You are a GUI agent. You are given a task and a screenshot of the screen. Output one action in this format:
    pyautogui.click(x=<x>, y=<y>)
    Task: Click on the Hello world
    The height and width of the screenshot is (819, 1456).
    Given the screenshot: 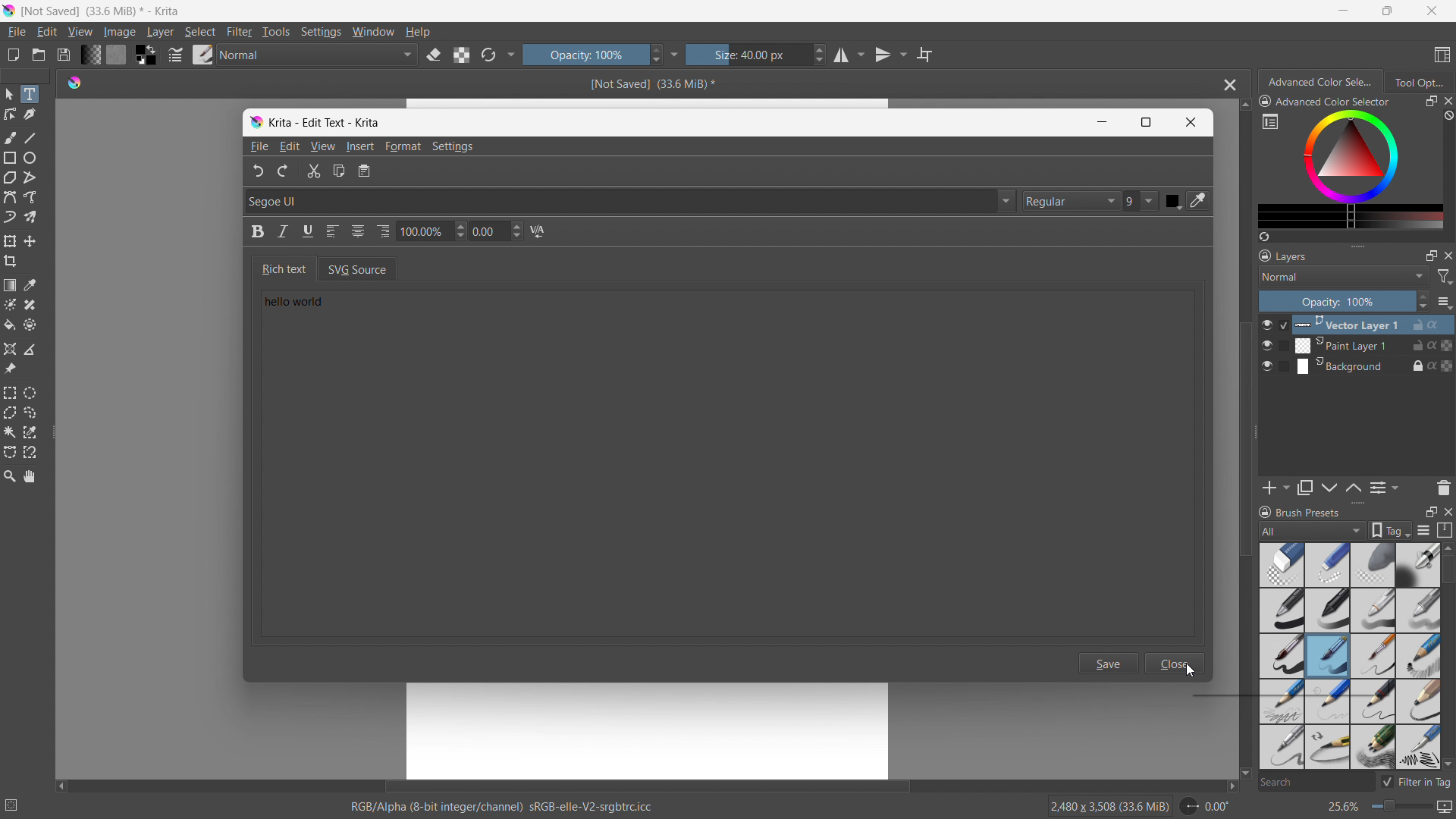 What is the action you would take?
    pyautogui.click(x=313, y=306)
    